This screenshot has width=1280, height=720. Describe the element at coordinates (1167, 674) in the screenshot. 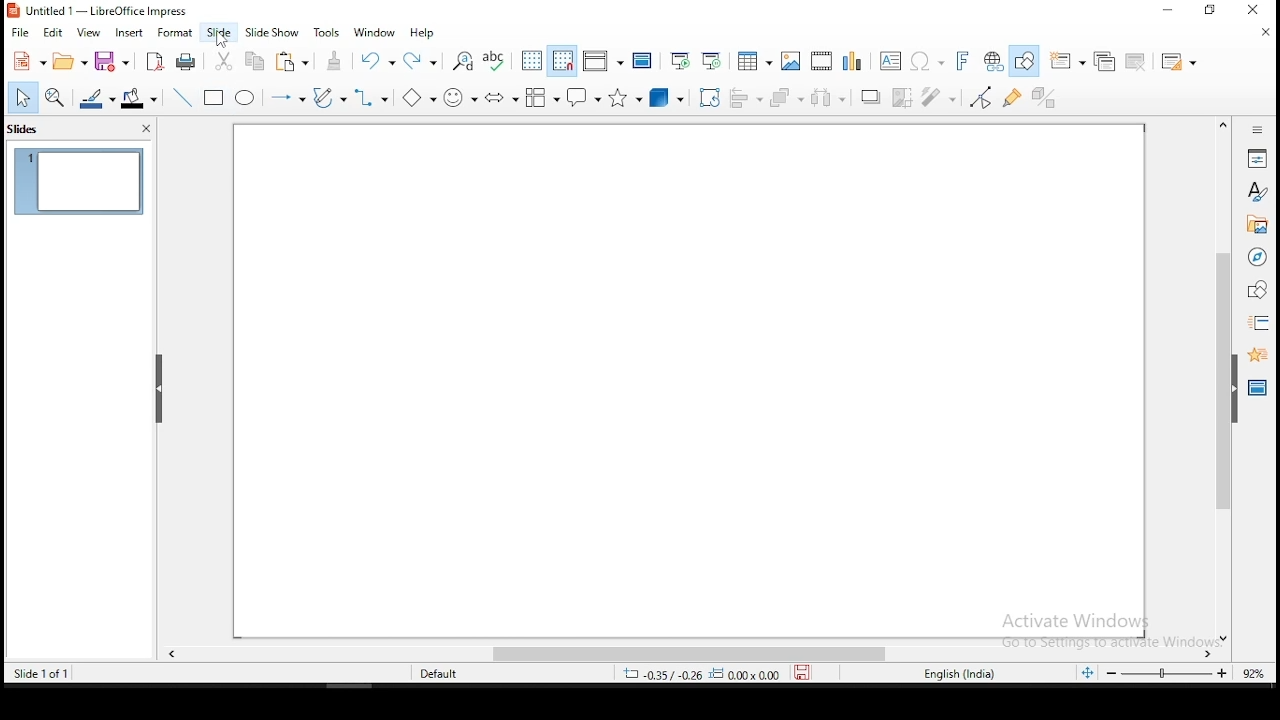

I see `zoom` at that location.